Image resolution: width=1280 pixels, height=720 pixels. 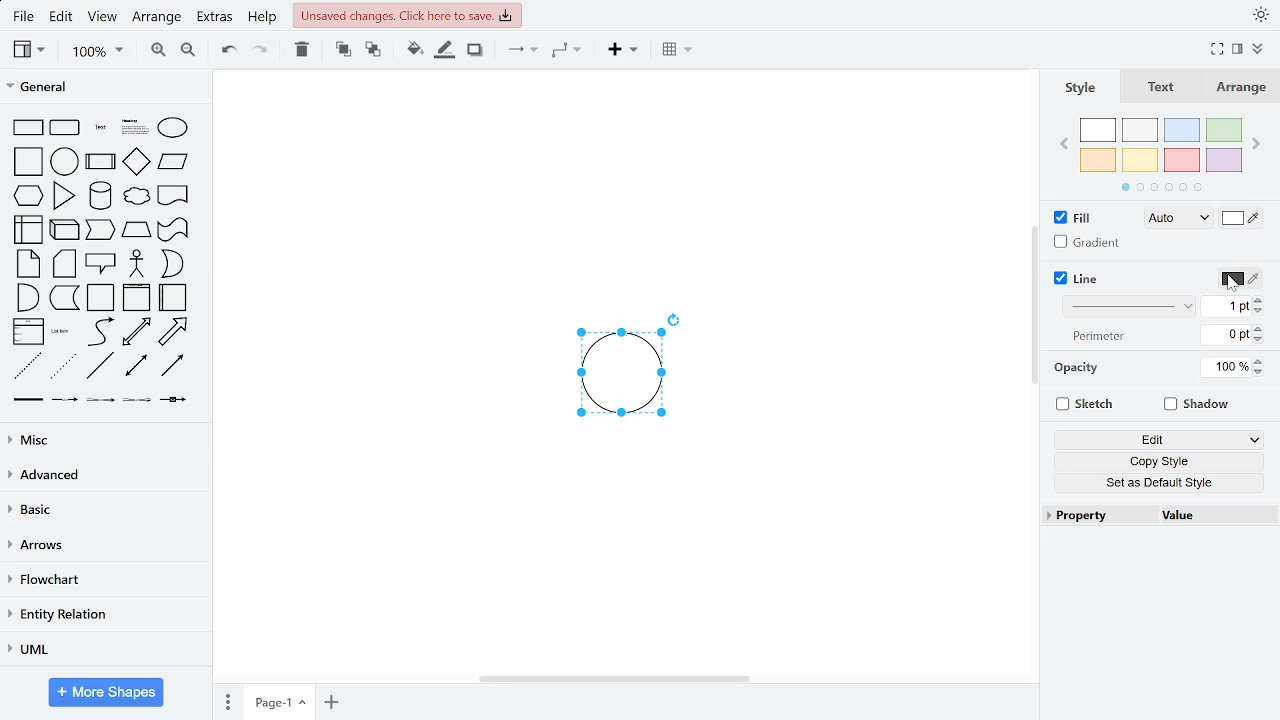 I want to click on extras, so click(x=215, y=19).